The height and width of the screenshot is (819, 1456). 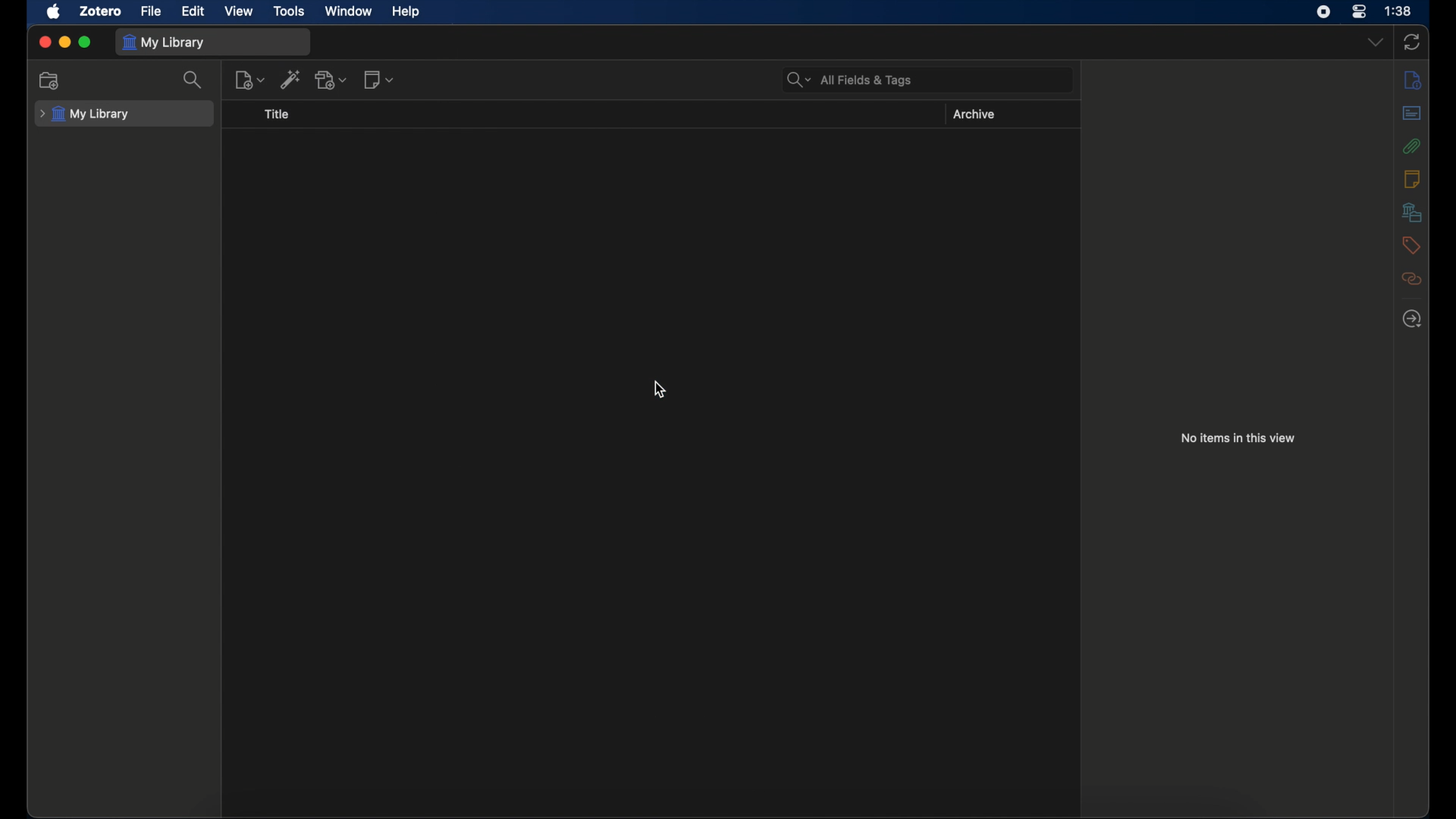 What do you see at coordinates (1412, 319) in the screenshot?
I see `locate` at bounding box center [1412, 319].